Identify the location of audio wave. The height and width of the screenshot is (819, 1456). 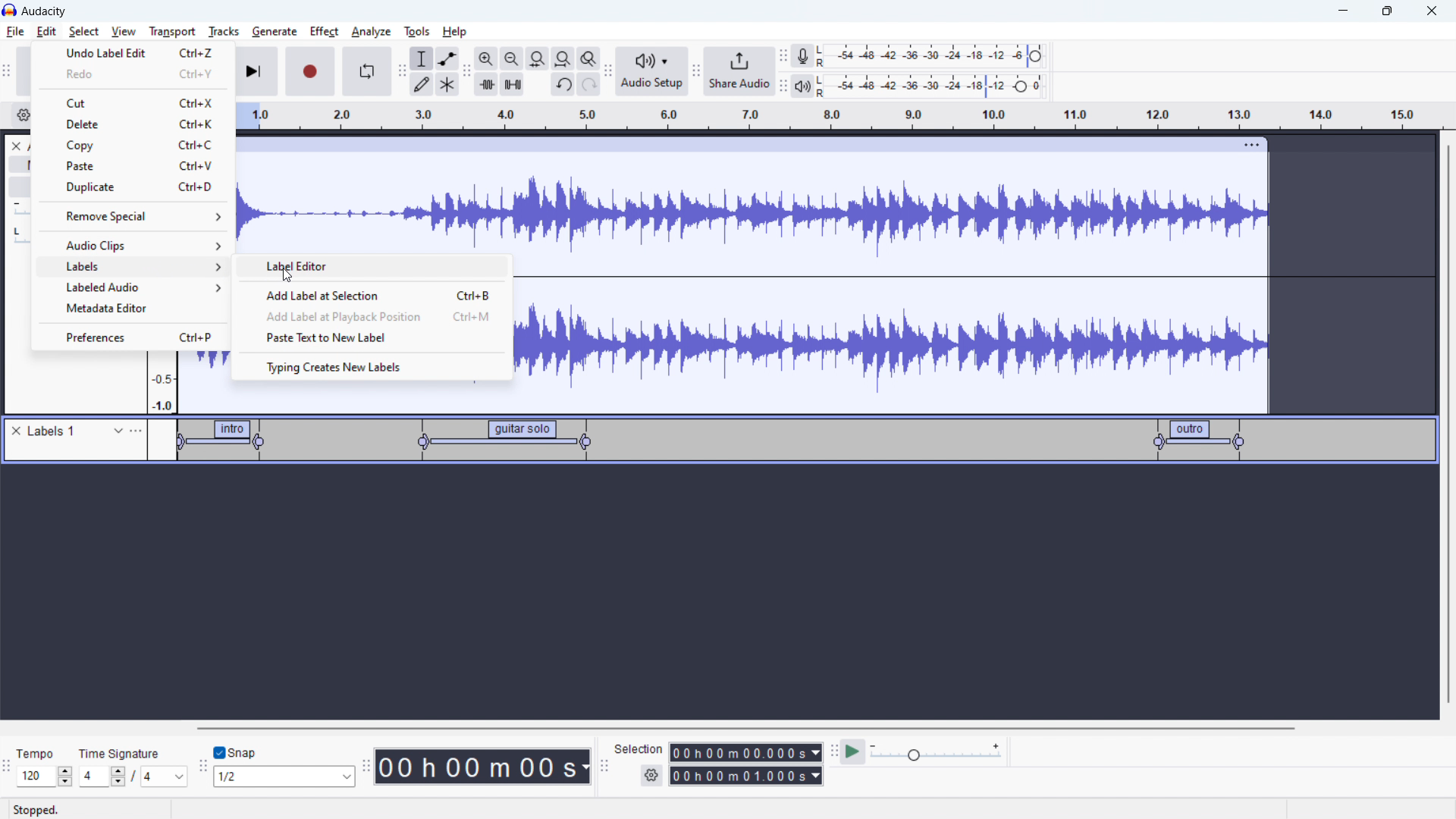
(752, 202).